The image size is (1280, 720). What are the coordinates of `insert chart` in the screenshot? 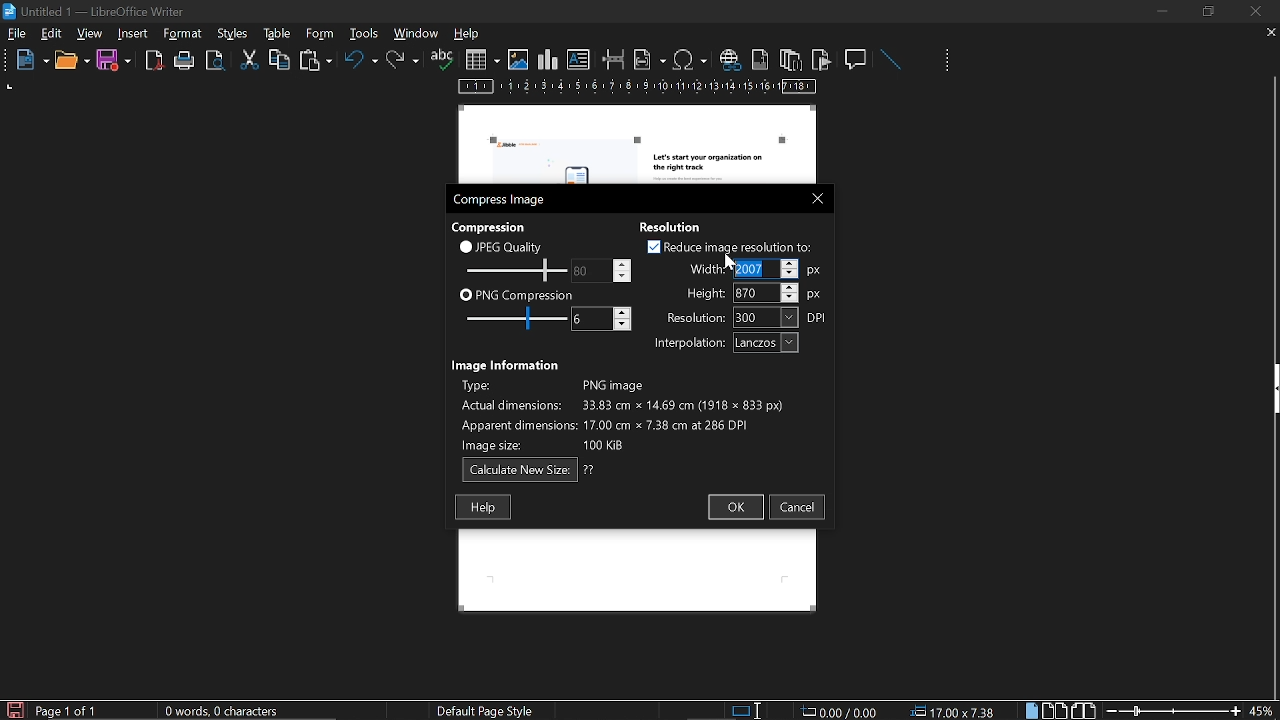 It's located at (548, 60).